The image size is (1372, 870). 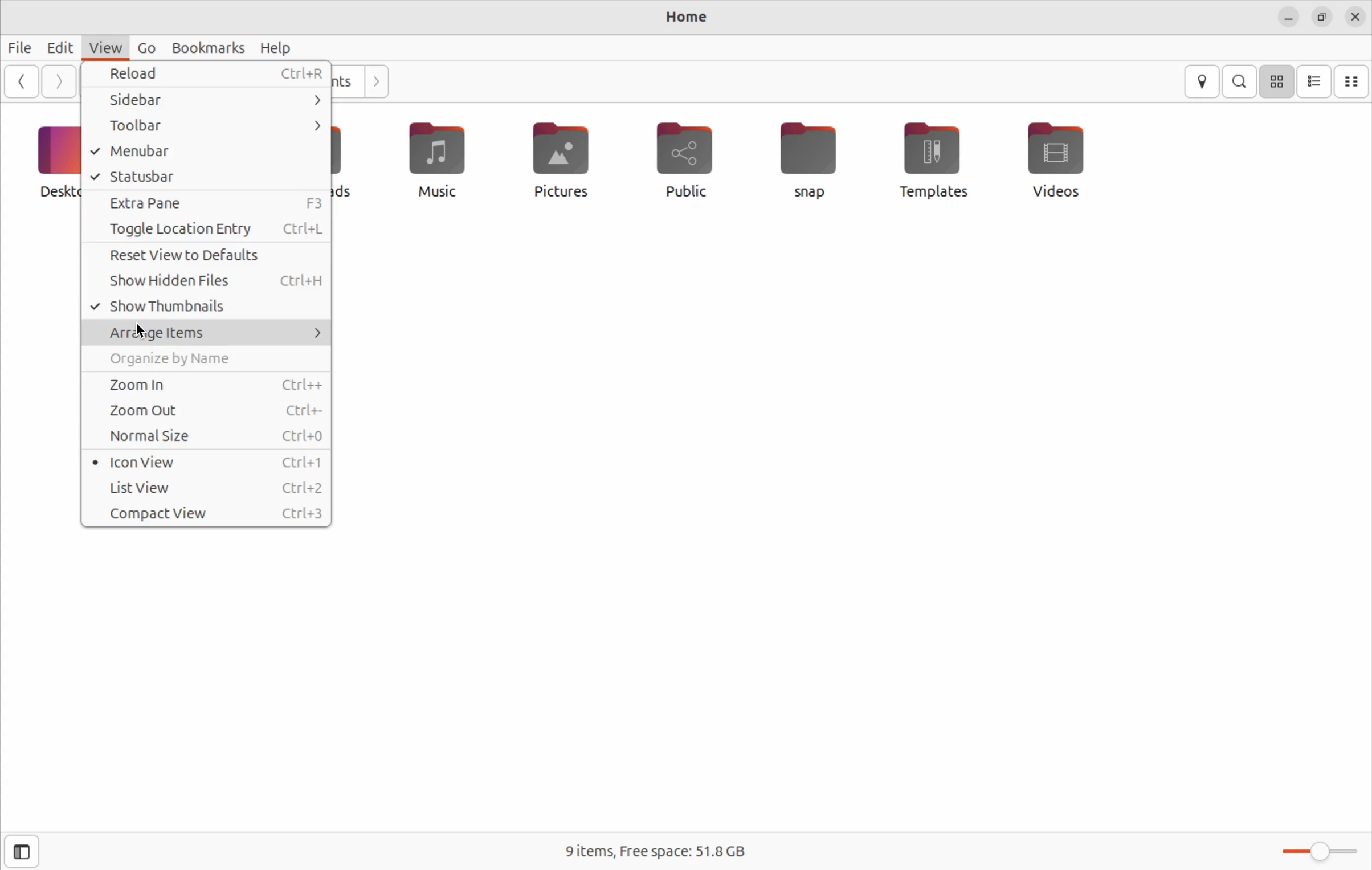 What do you see at coordinates (1289, 17) in the screenshot?
I see `minimze` at bounding box center [1289, 17].